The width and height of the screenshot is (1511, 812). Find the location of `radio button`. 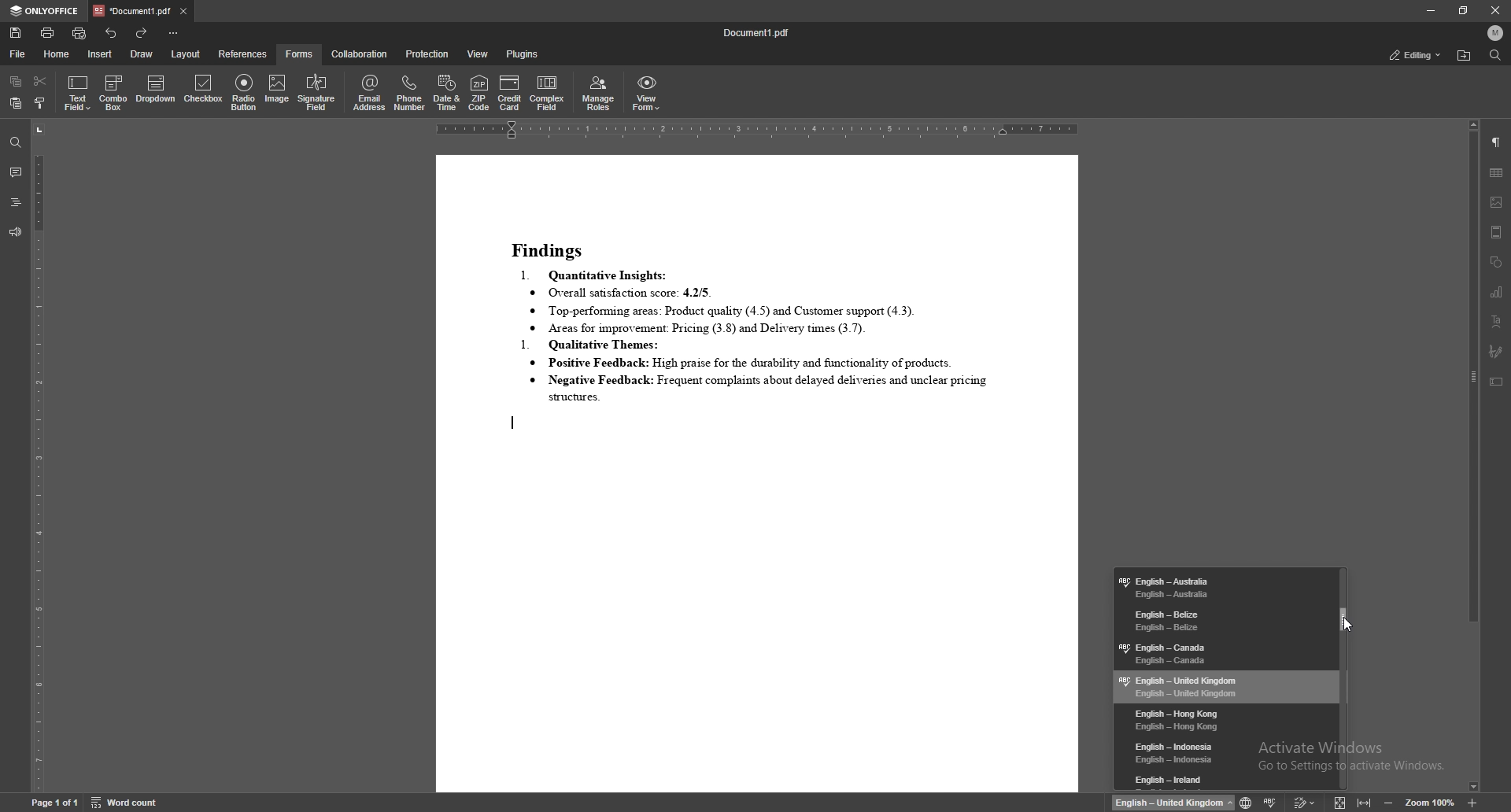

radio button is located at coordinates (245, 93).